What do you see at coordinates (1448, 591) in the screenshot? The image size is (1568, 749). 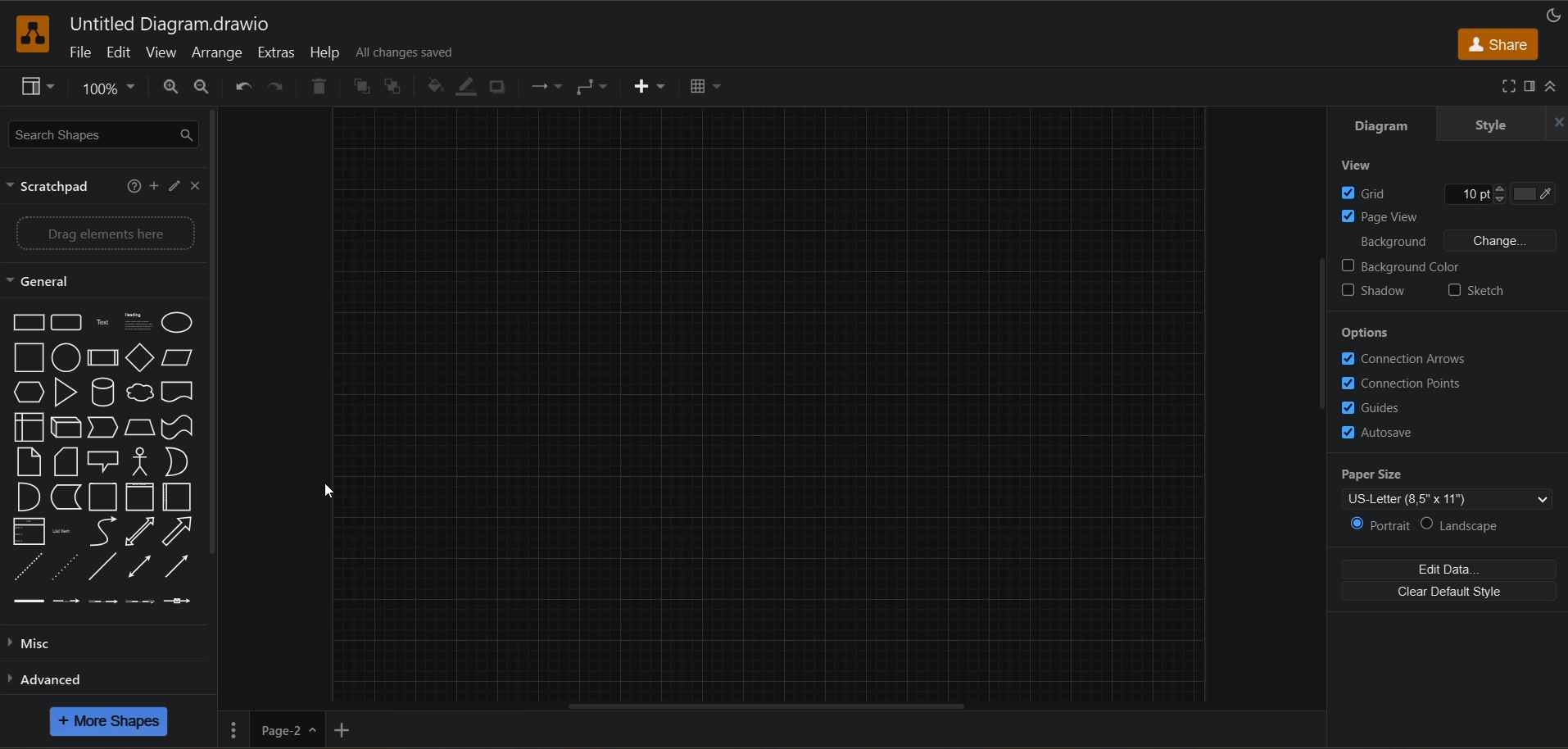 I see `clear default style` at bounding box center [1448, 591].